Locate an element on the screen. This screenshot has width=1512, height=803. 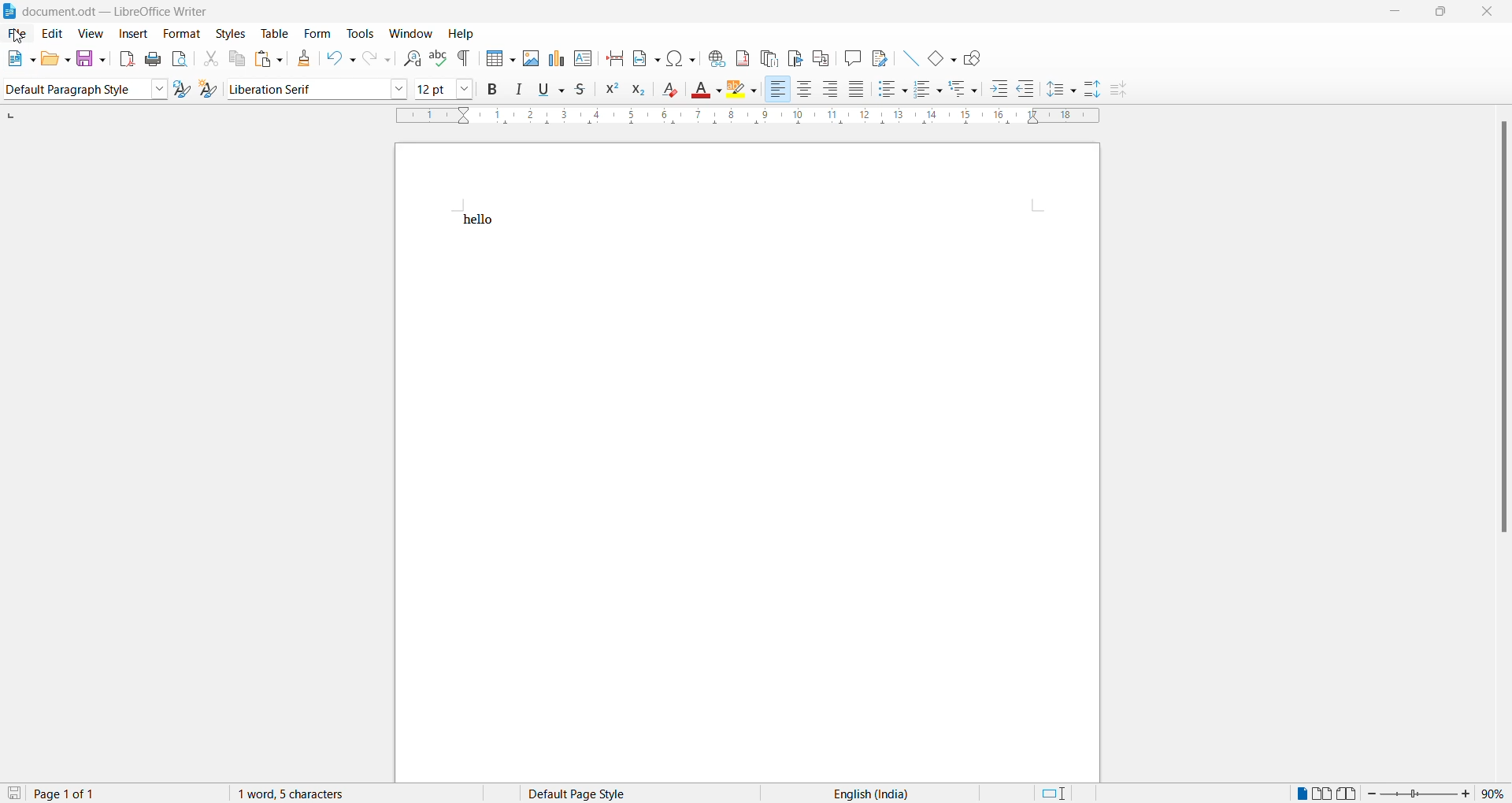
Current selected font size is located at coordinates (434, 88).